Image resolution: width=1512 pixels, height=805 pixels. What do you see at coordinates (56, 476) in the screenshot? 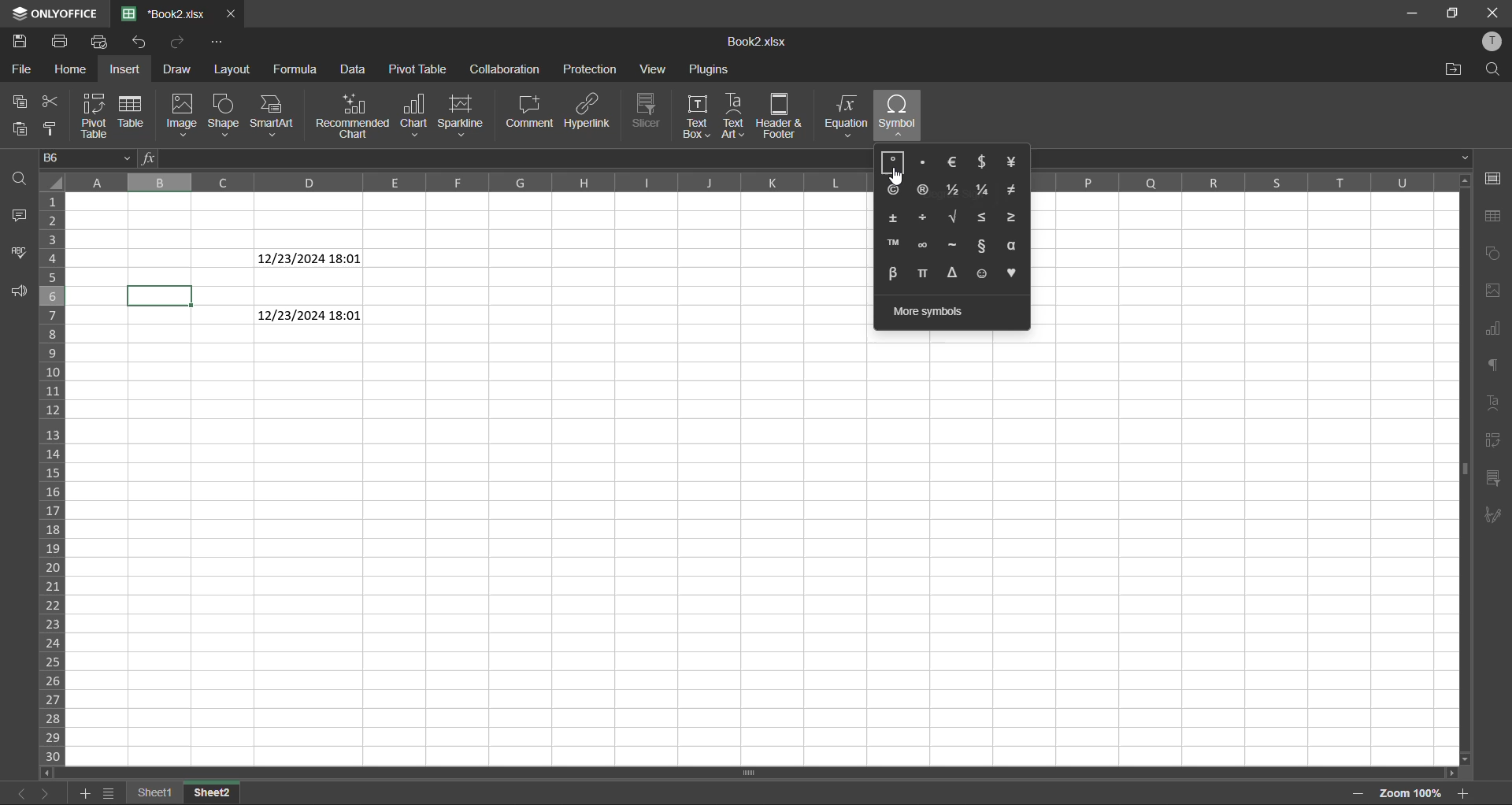
I see `row numbers` at bounding box center [56, 476].